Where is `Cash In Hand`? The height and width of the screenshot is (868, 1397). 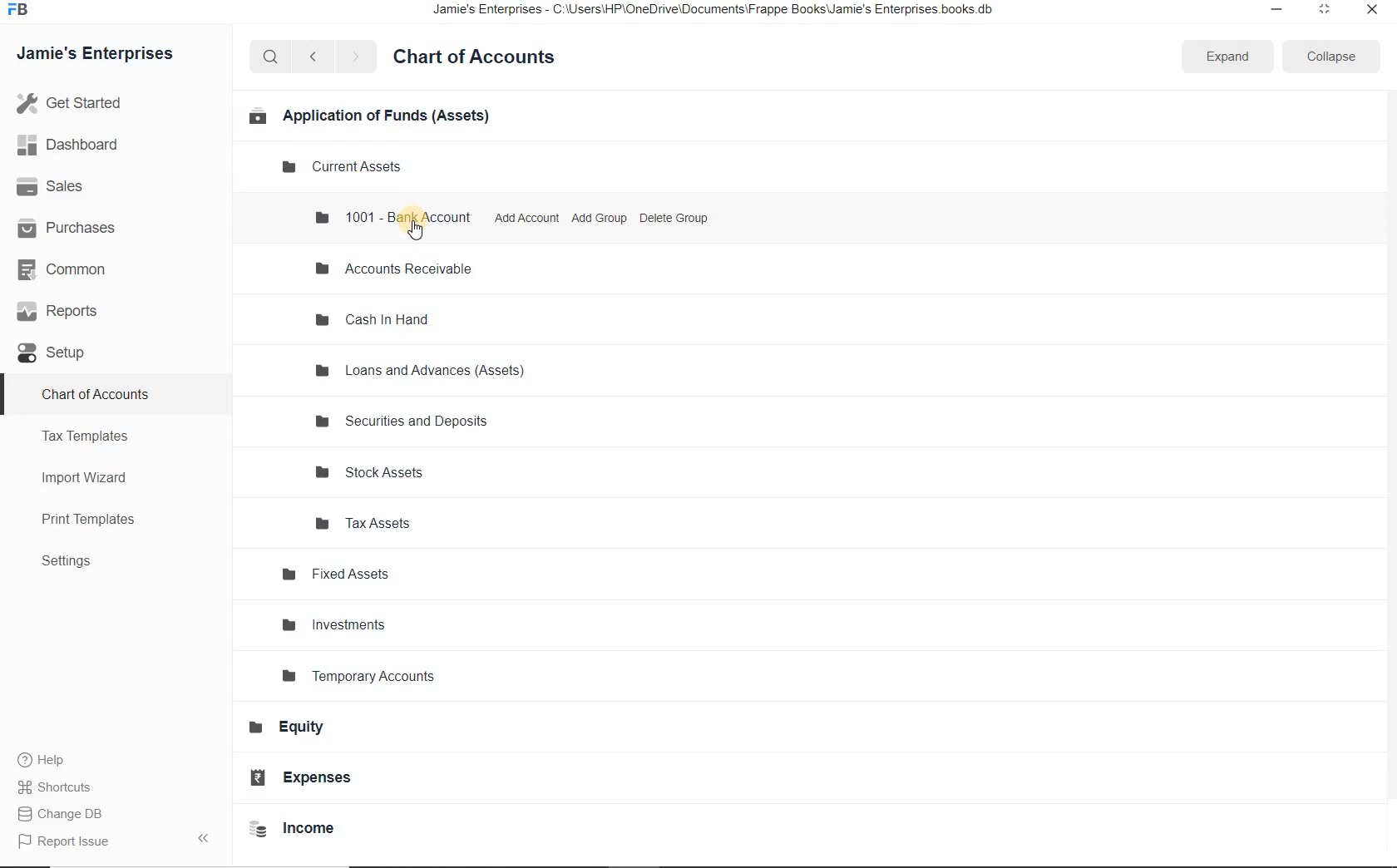 Cash In Hand is located at coordinates (380, 319).